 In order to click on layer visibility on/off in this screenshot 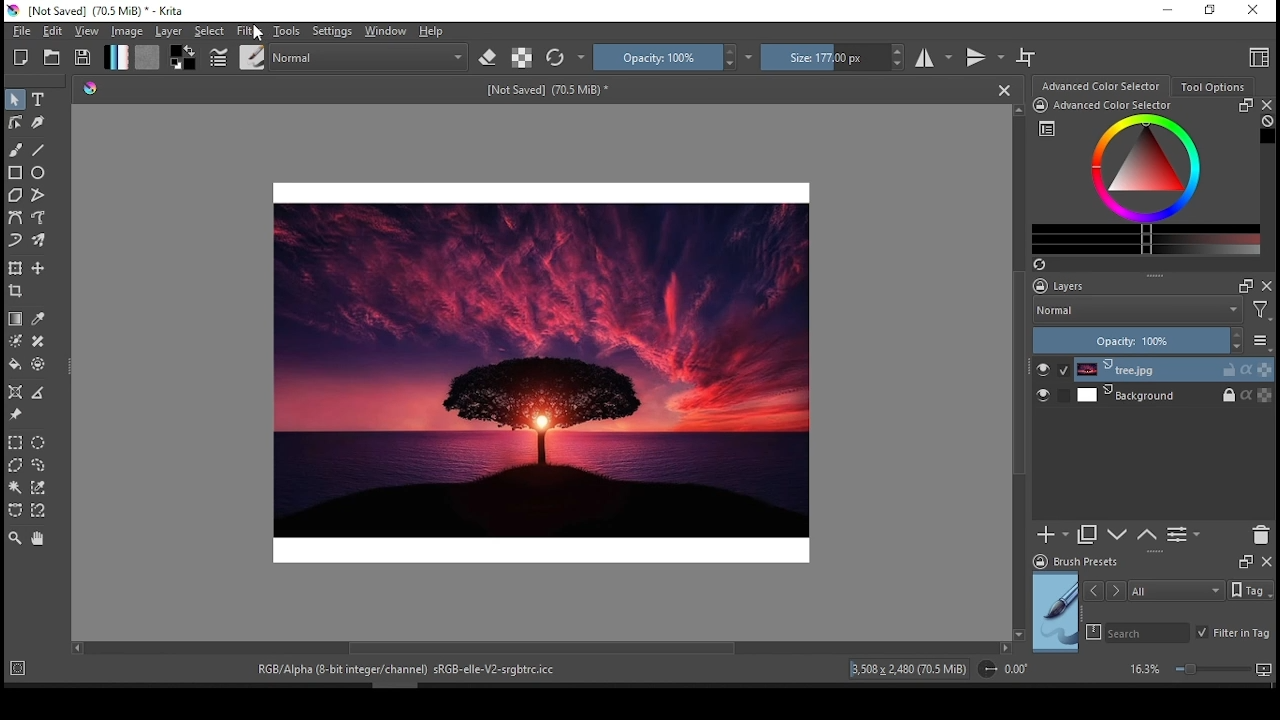, I will do `click(1048, 396)`.